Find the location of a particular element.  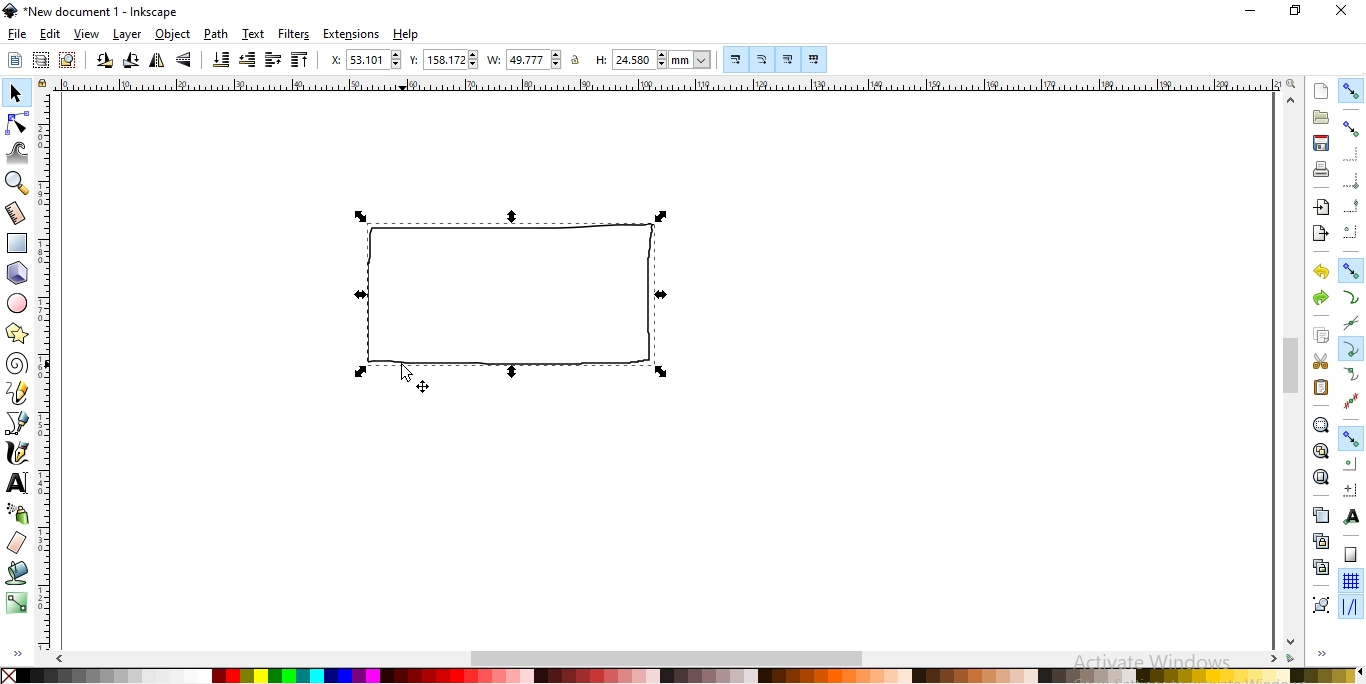

rotation selection 90 clockwise is located at coordinates (132, 60).